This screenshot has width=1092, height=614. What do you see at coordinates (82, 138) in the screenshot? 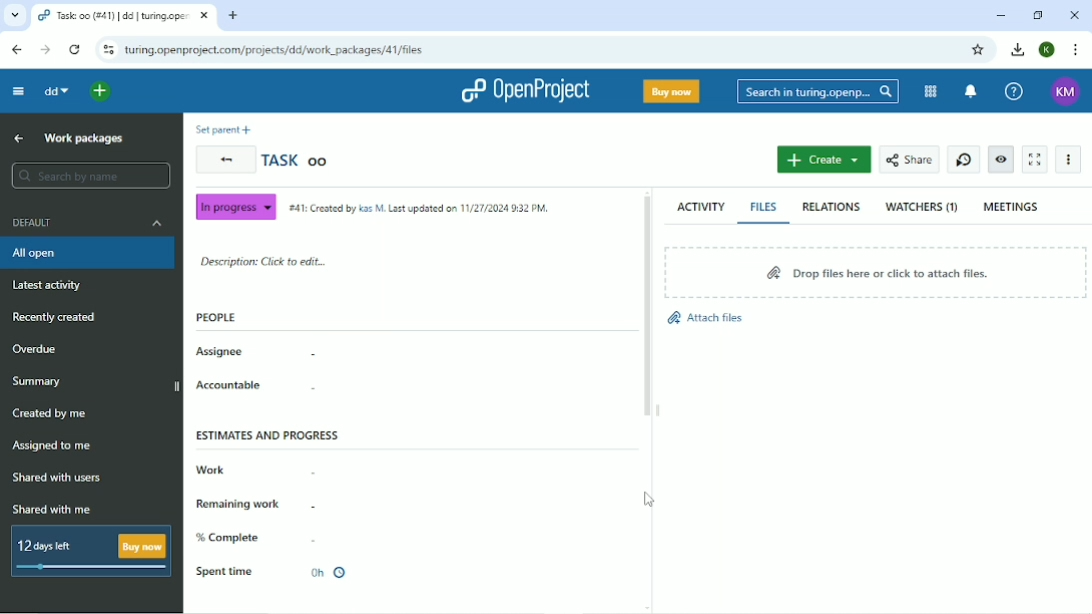
I see `Work packages` at bounding box center [82, 138].